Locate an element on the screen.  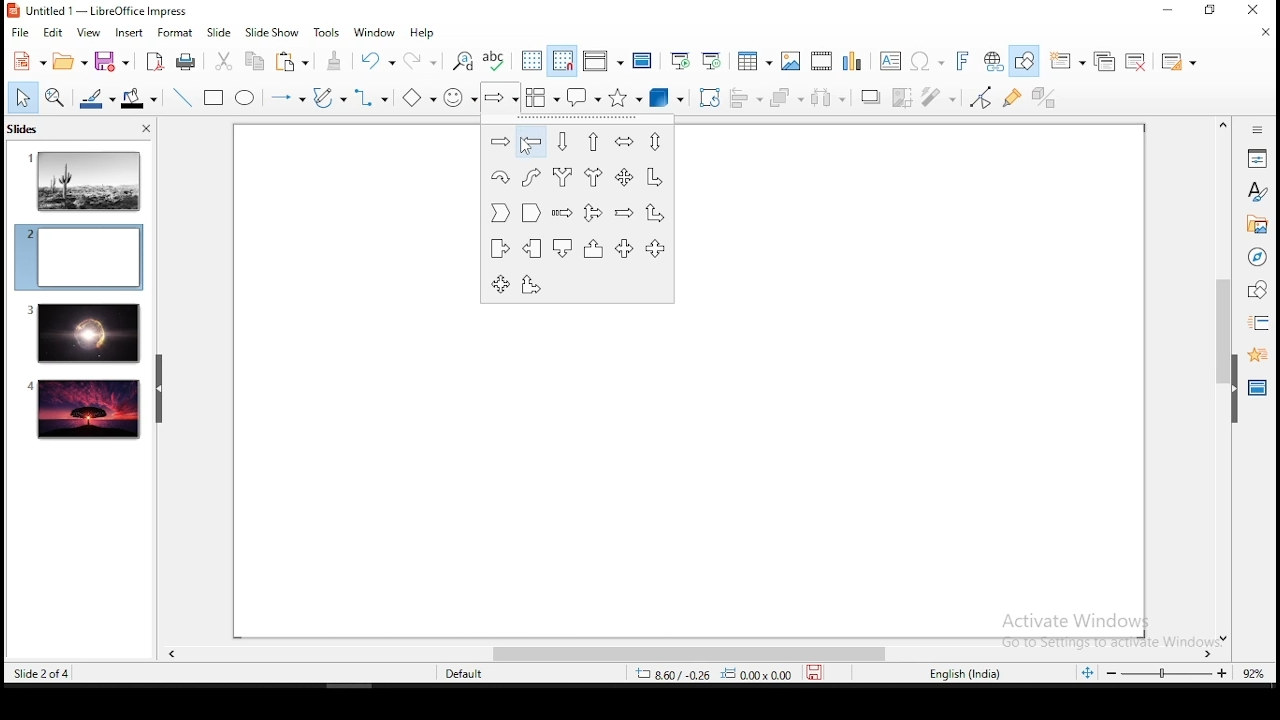
s shaped arrow is located at coordinates (531, 177).